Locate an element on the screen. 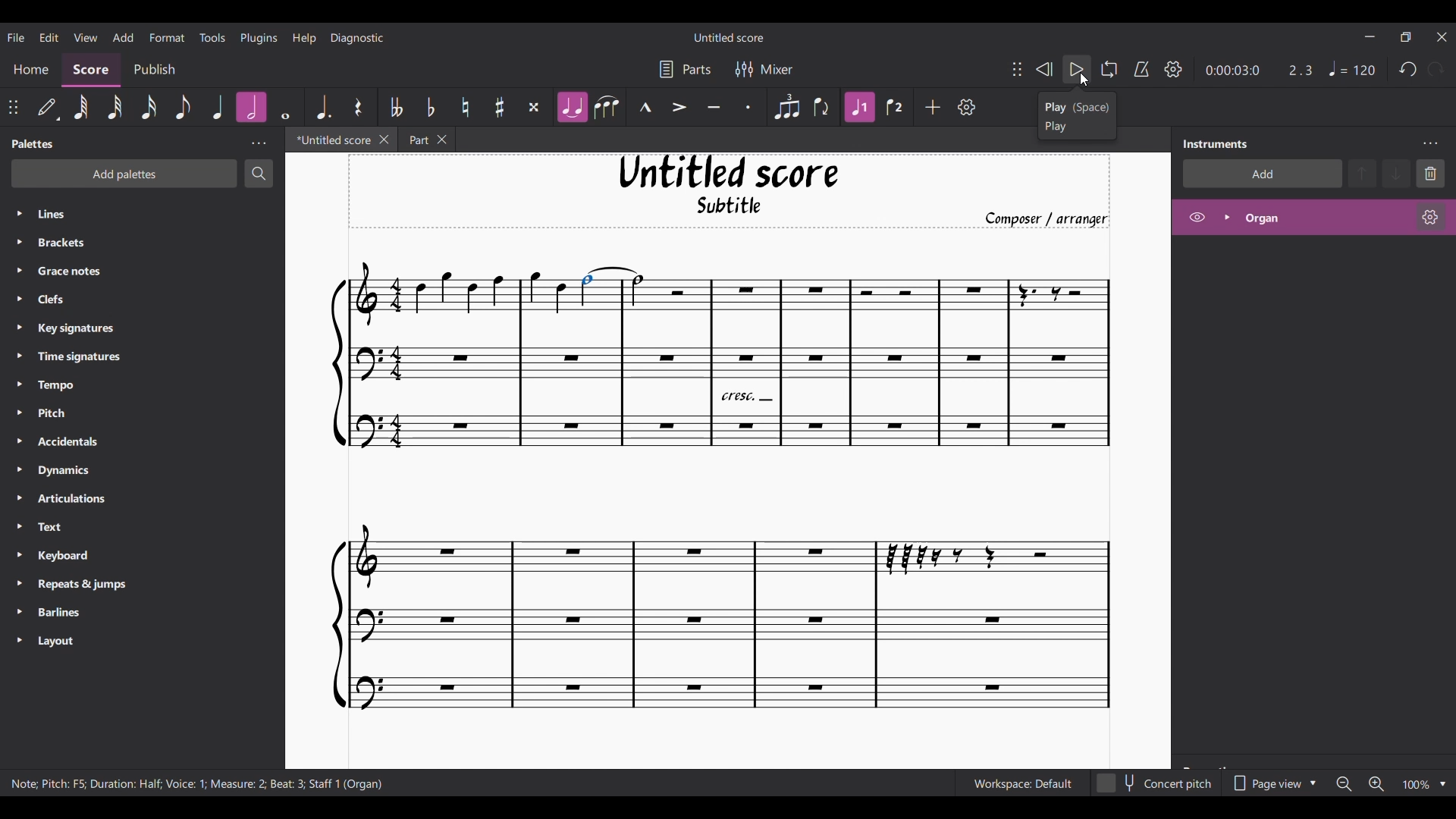  Zoom out is located at coordinates (1344, 784).